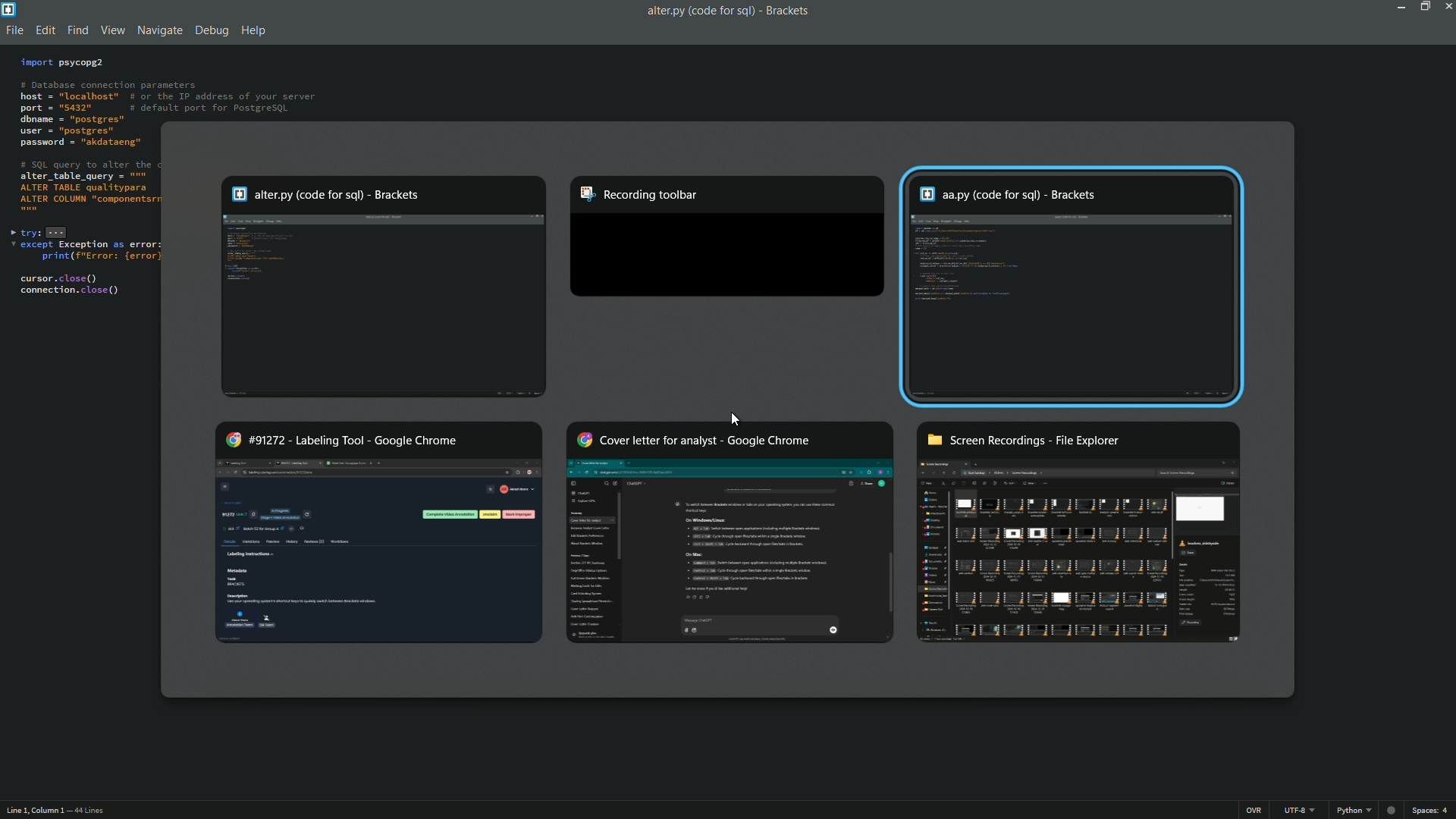 Image resolution: width=1456 pixels, height=819 pixels. I want to click on debug menu, so click(211, 32).